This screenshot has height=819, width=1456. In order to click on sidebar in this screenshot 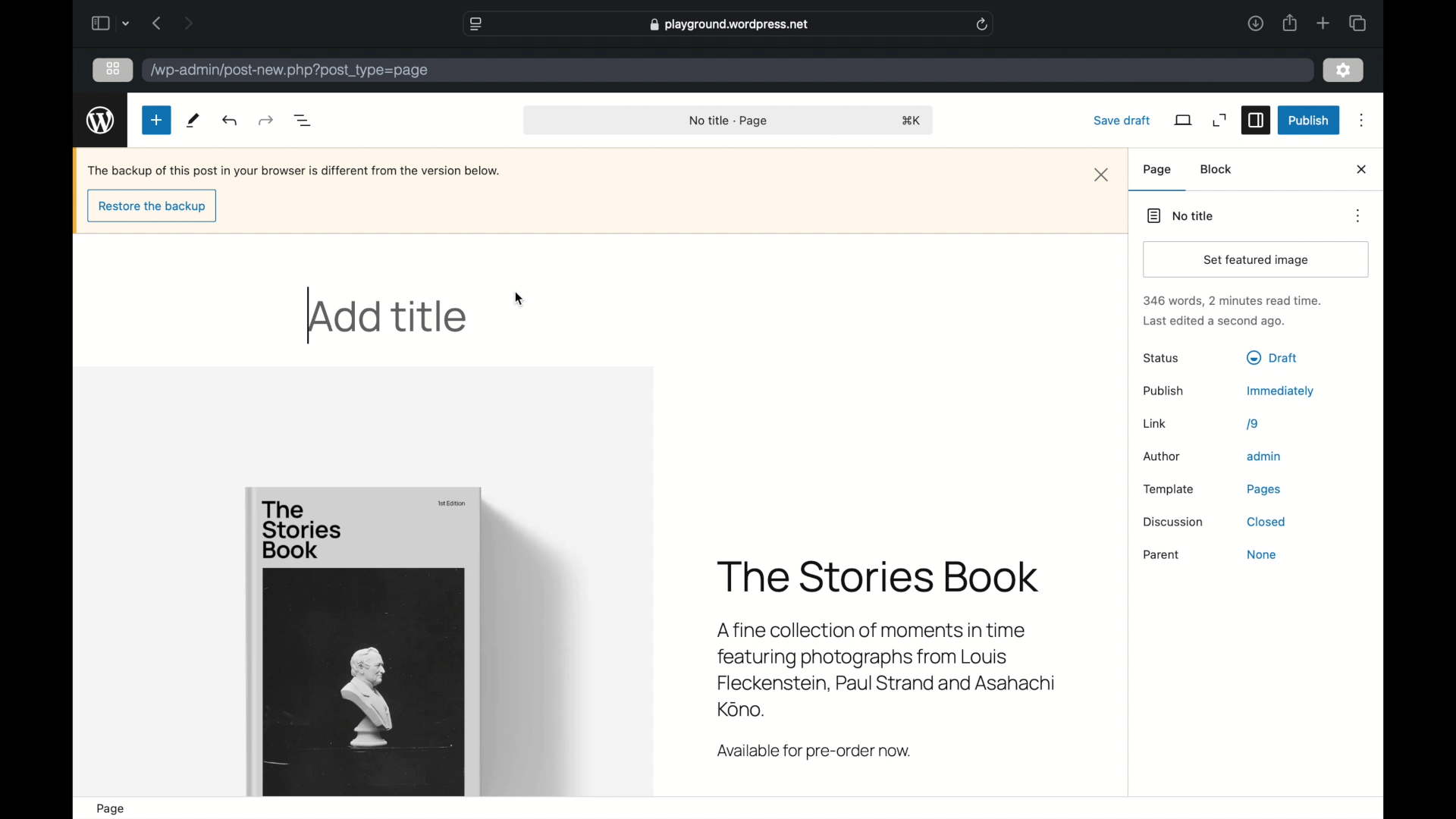, I will do `click(1256, 121)`.